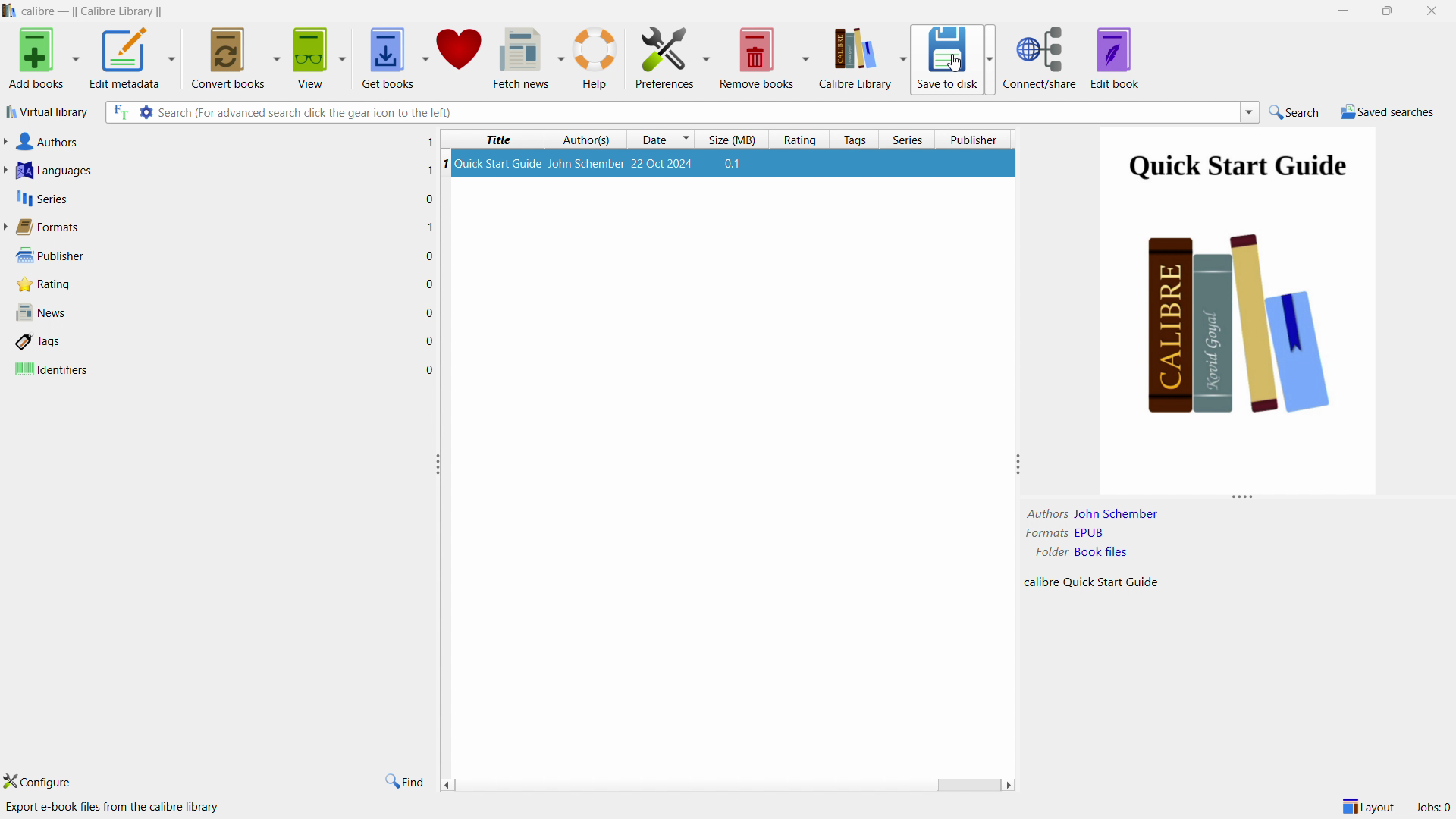 The height and width of the screenshot is (819, 1456). What do you see at coordinates (1388, 111) in the screenshot?
I see `saved searches` at bounding box center [1388, 111].